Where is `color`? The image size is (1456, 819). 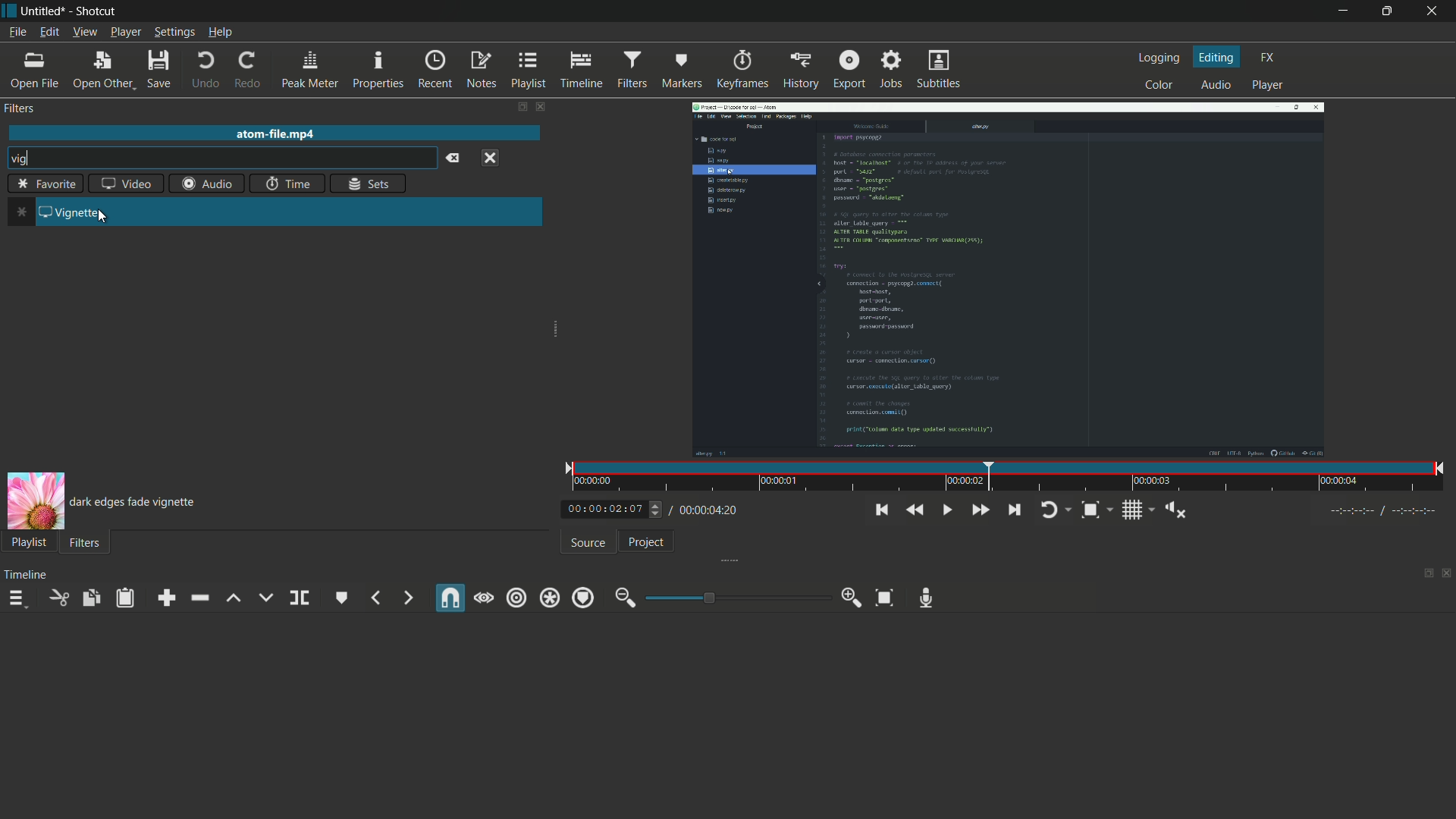 color is located at coordinates (1159, 85).